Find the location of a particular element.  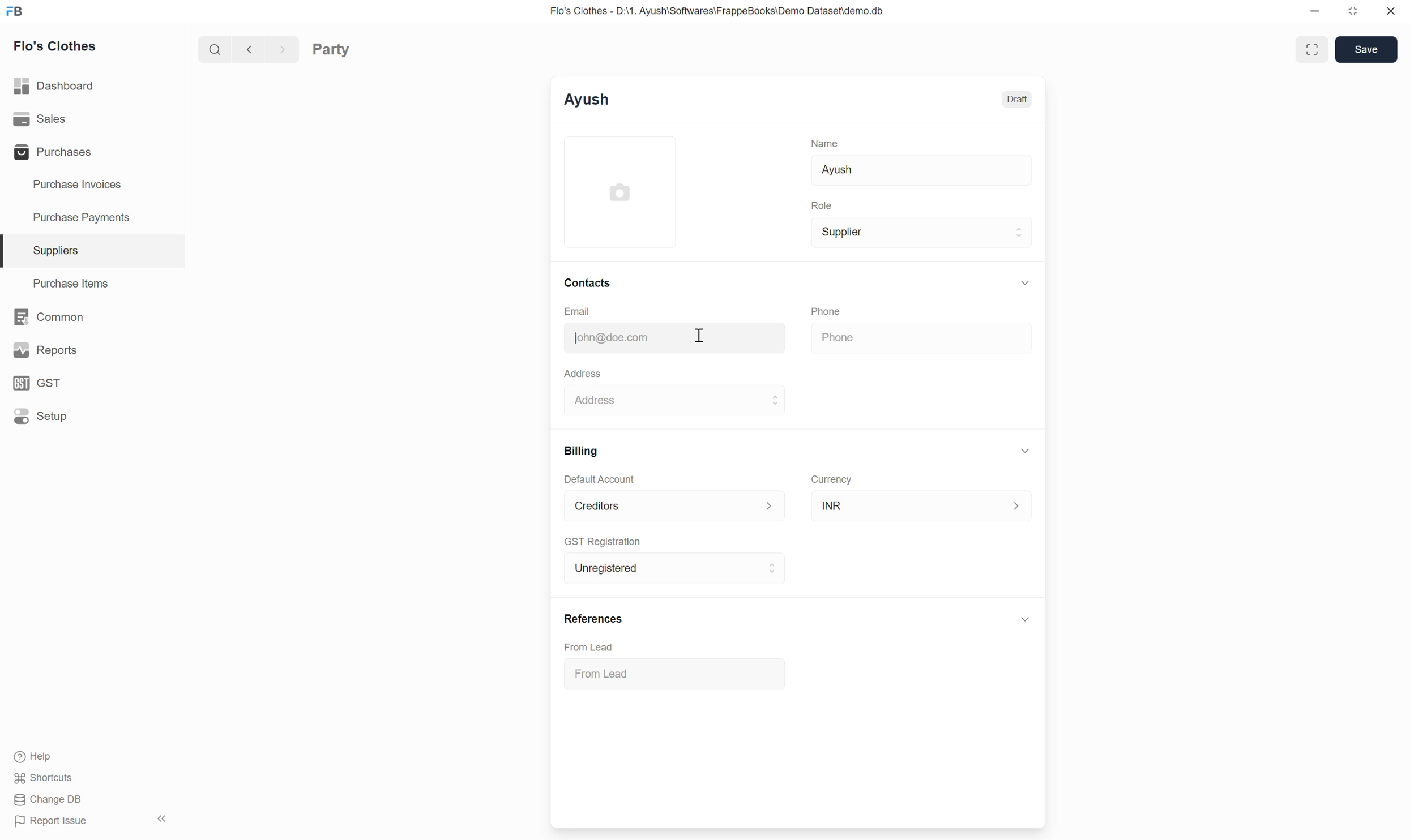

Collapse is located at coordinates (1025, 283).